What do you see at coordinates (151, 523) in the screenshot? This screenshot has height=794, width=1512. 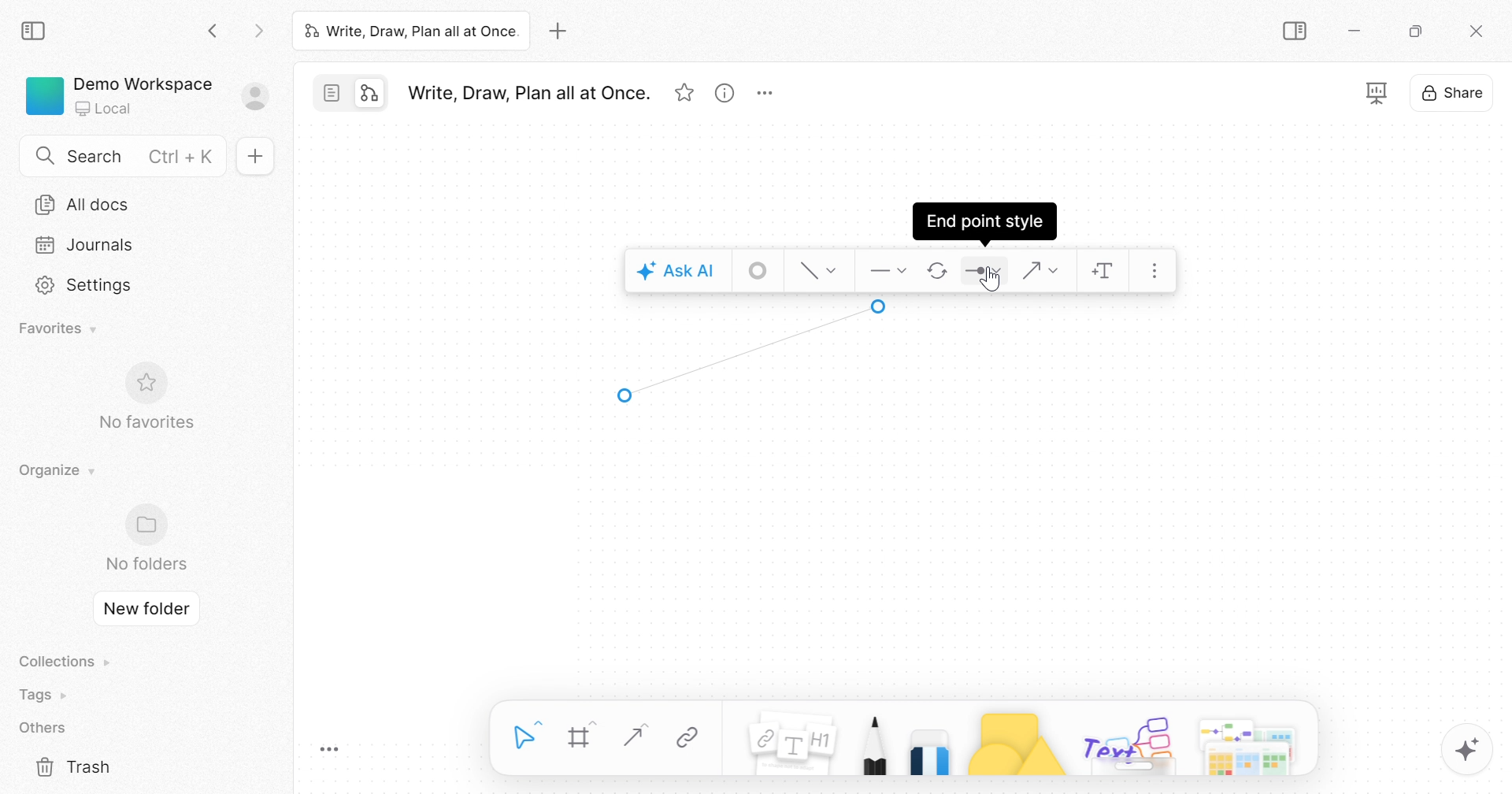 I see `Folder icon` at bounding box center [151, 523].